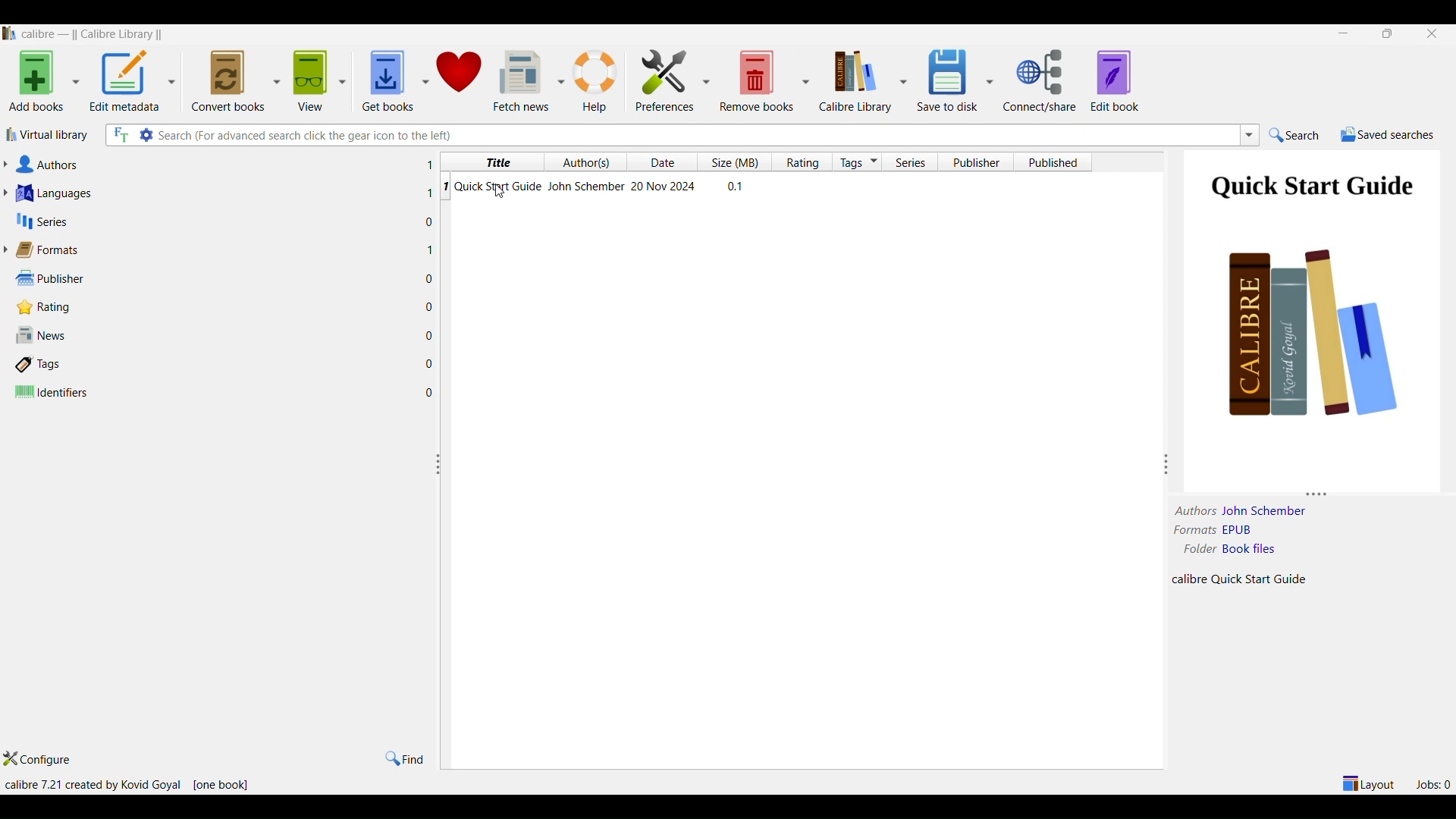 The width and height of the screenshot is (1456, 819). I want to click on calibre library, so click(854, 81).